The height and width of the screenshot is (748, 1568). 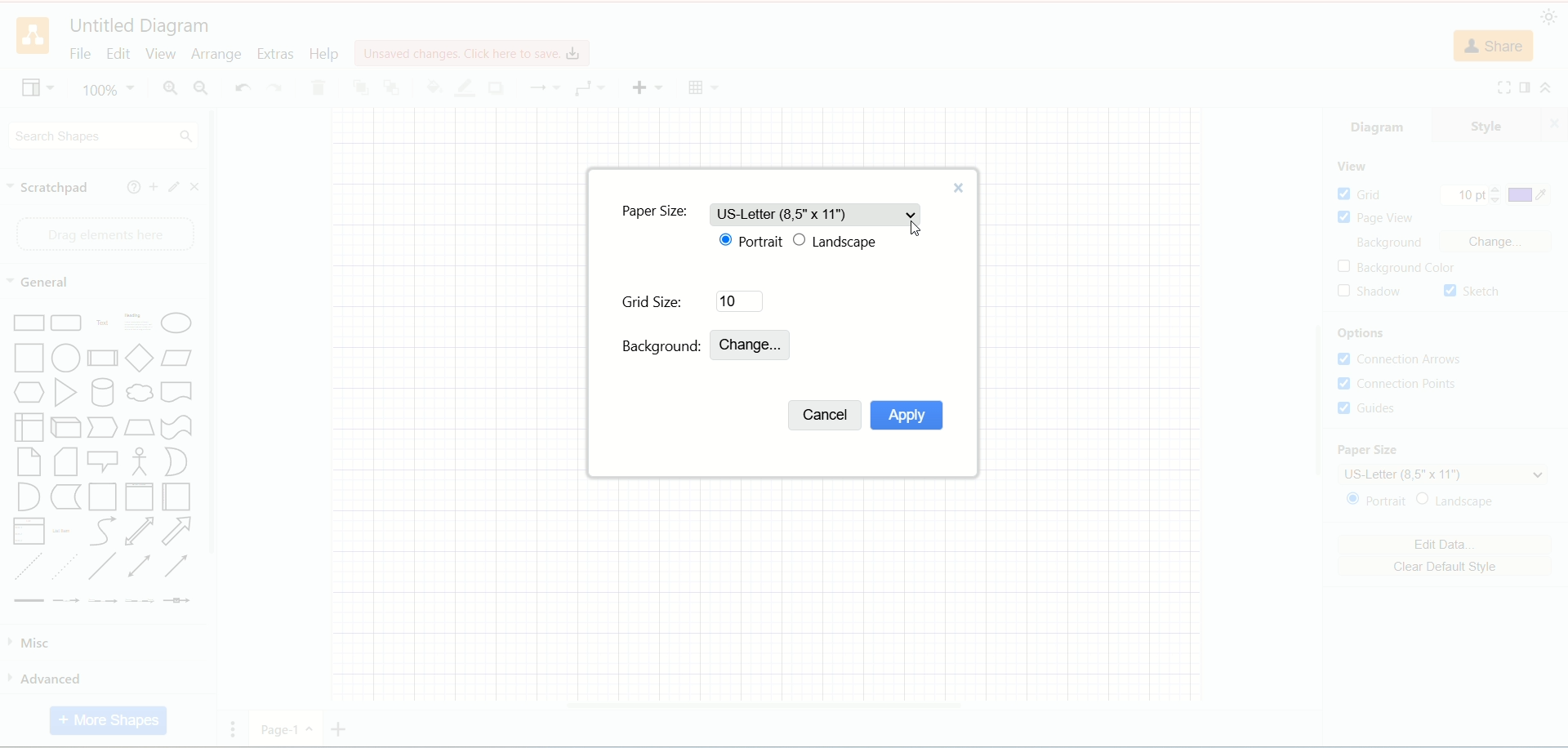 What do you see at coordinates (28, 532) in the screenshot?
I see `Item List` at bounding box center [28, 532].